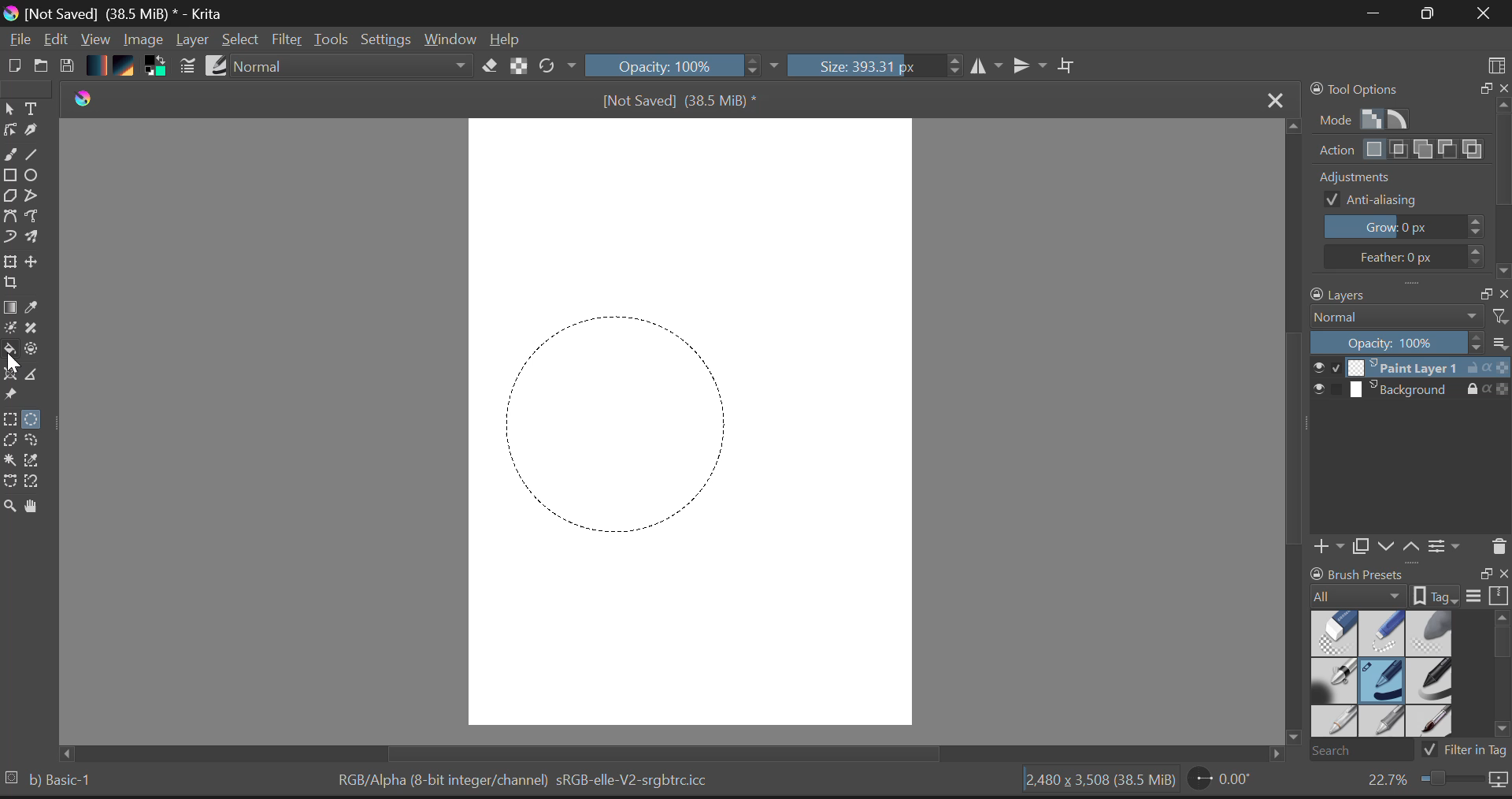 The width and height of the screenshot is (1512, 799). I want to click on Pattern, so click(127, 67).